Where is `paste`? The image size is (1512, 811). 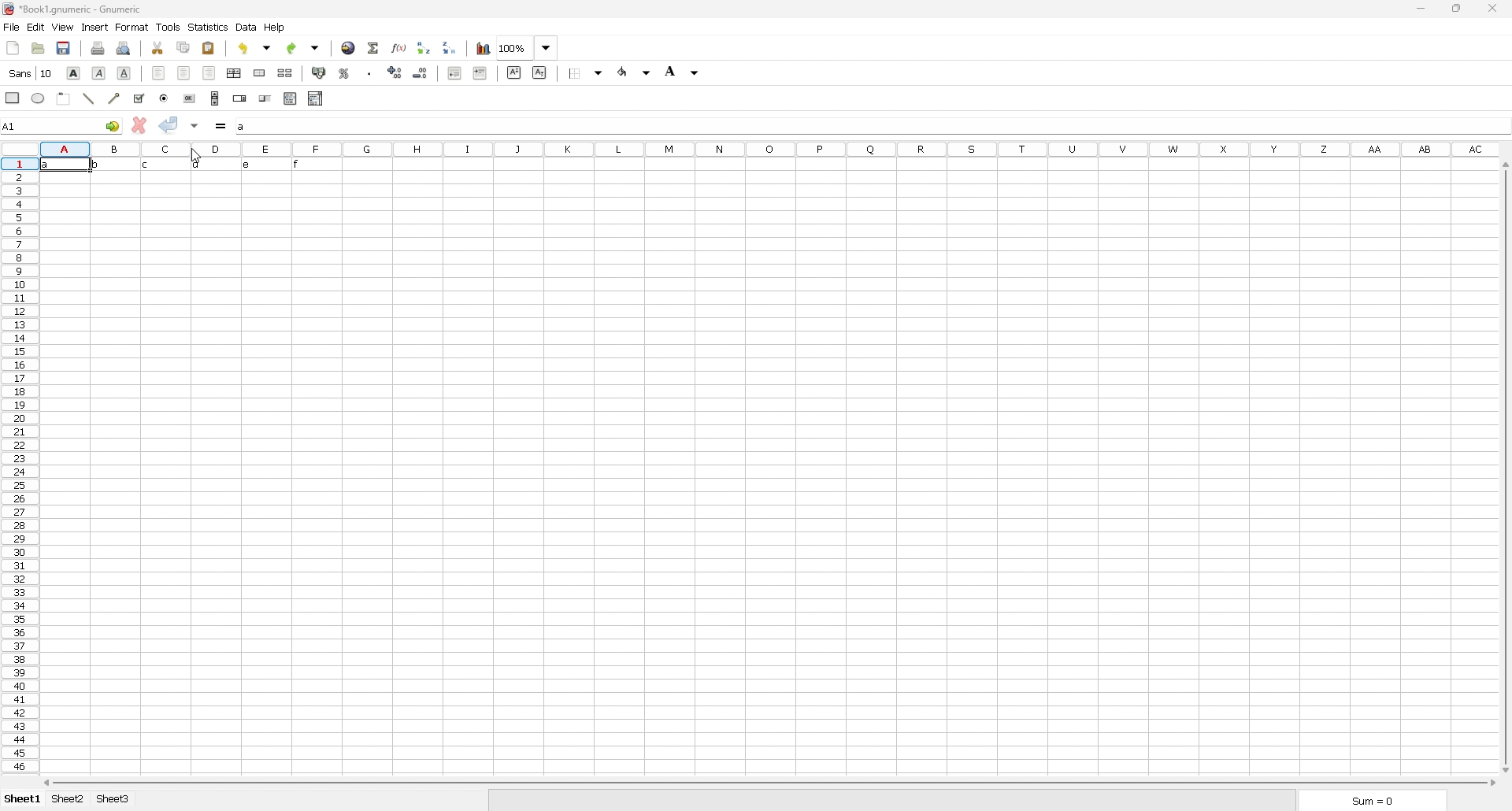
paste is located at coordinates (209, 47).